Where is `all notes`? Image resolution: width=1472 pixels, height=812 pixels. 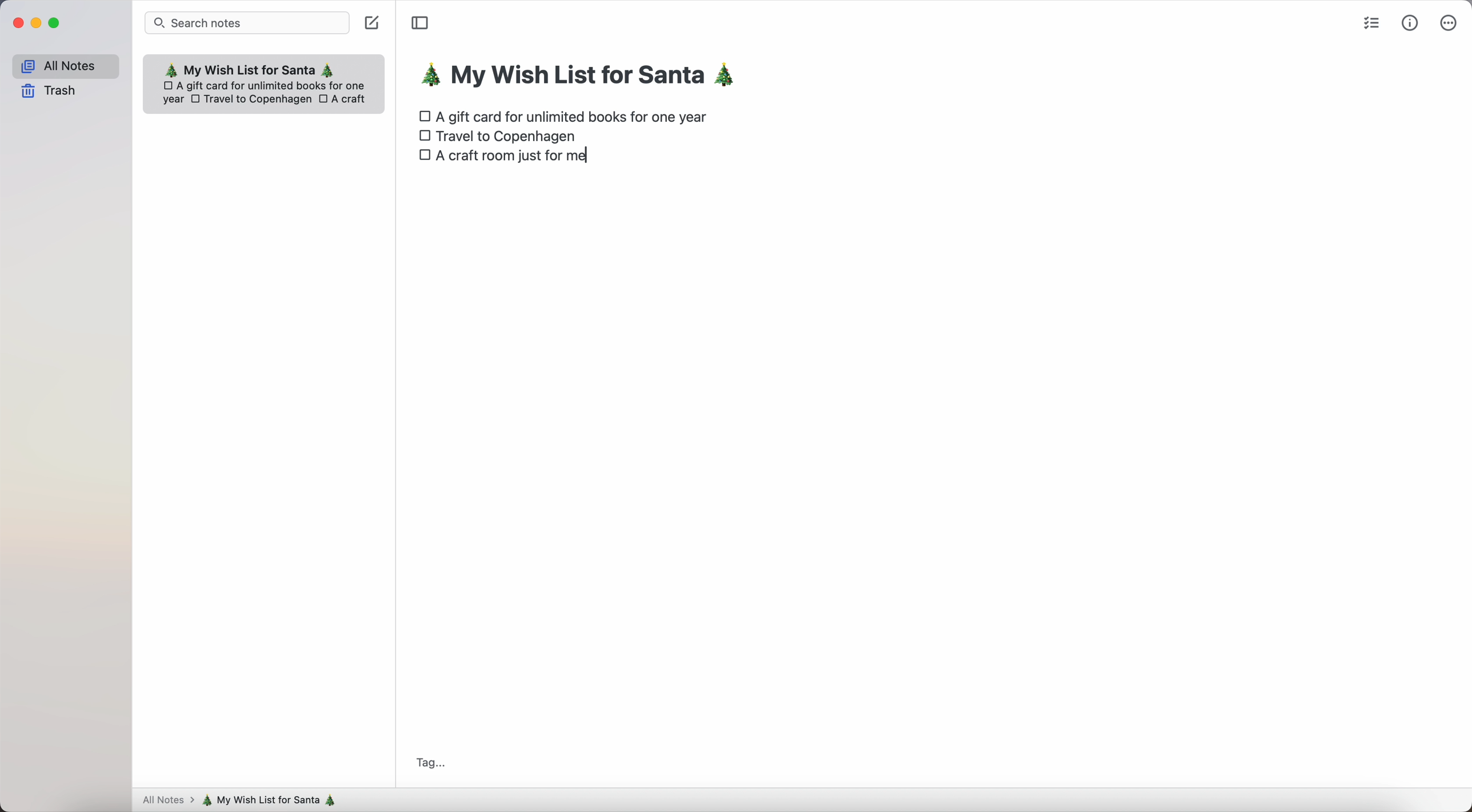
all notes is located at coordinates (166, 801).